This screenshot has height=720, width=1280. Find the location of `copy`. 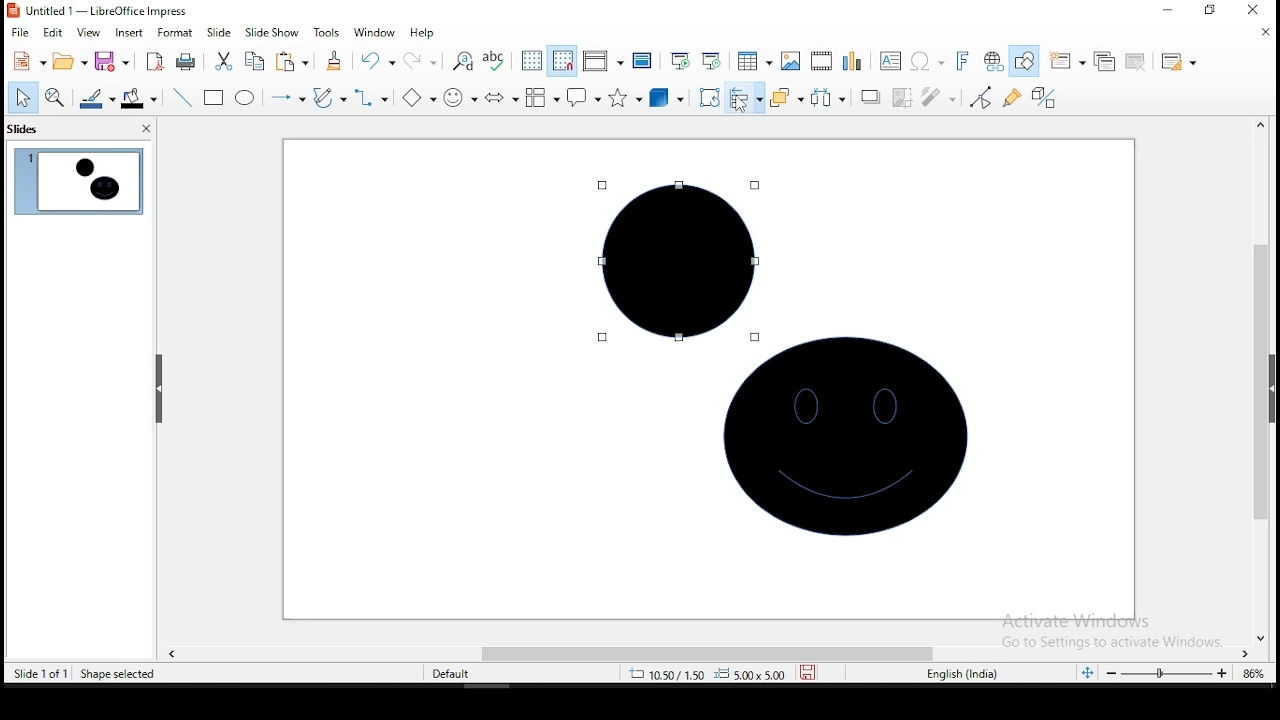

copy is located at coordinates (253, 62).